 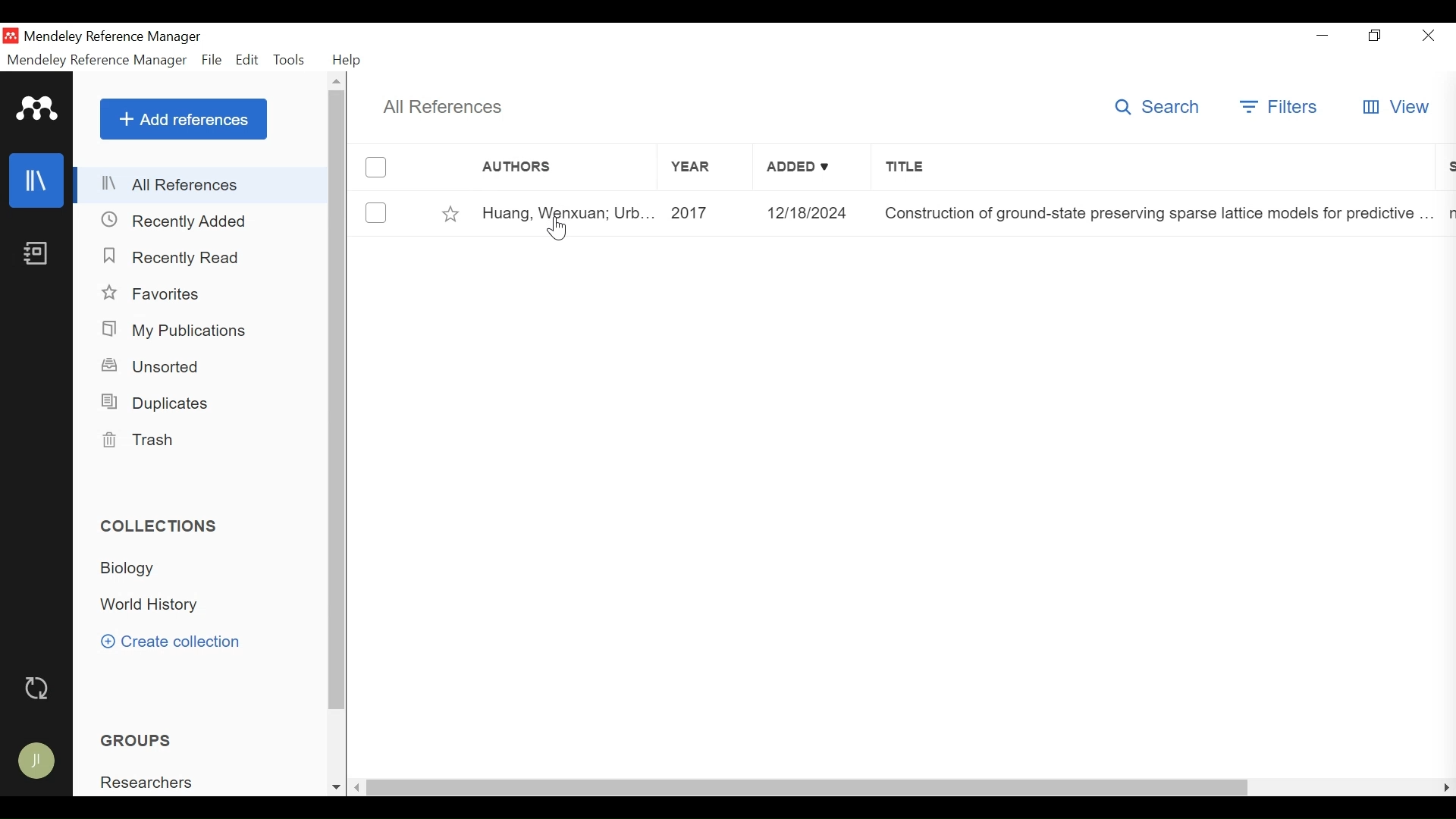 What do you see at coordinates (39, 762) in the screenshot?
I see `Avatar` at bounding box center [39, 762].